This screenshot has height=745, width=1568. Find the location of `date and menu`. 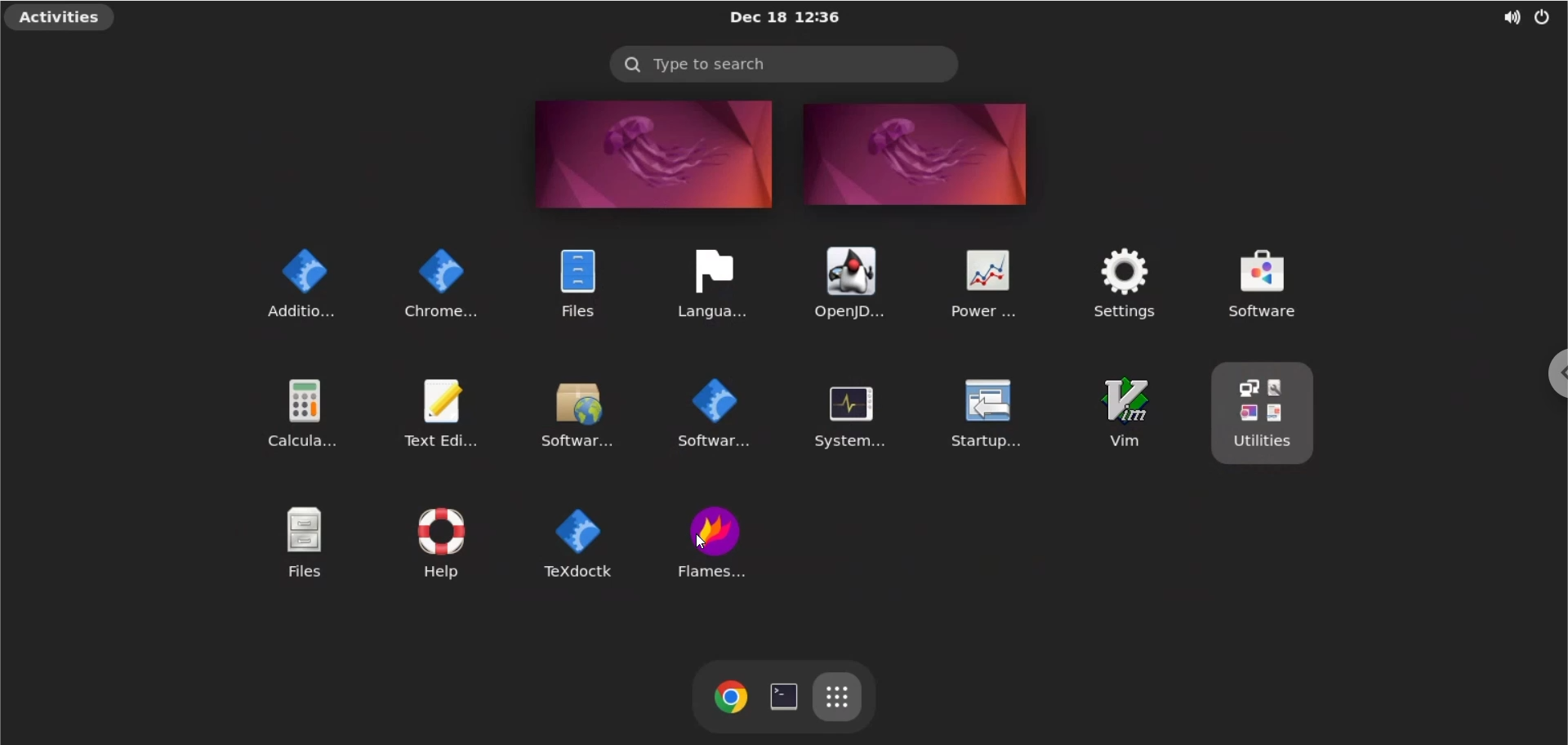

date and menu is located at coordinates (783, 18).